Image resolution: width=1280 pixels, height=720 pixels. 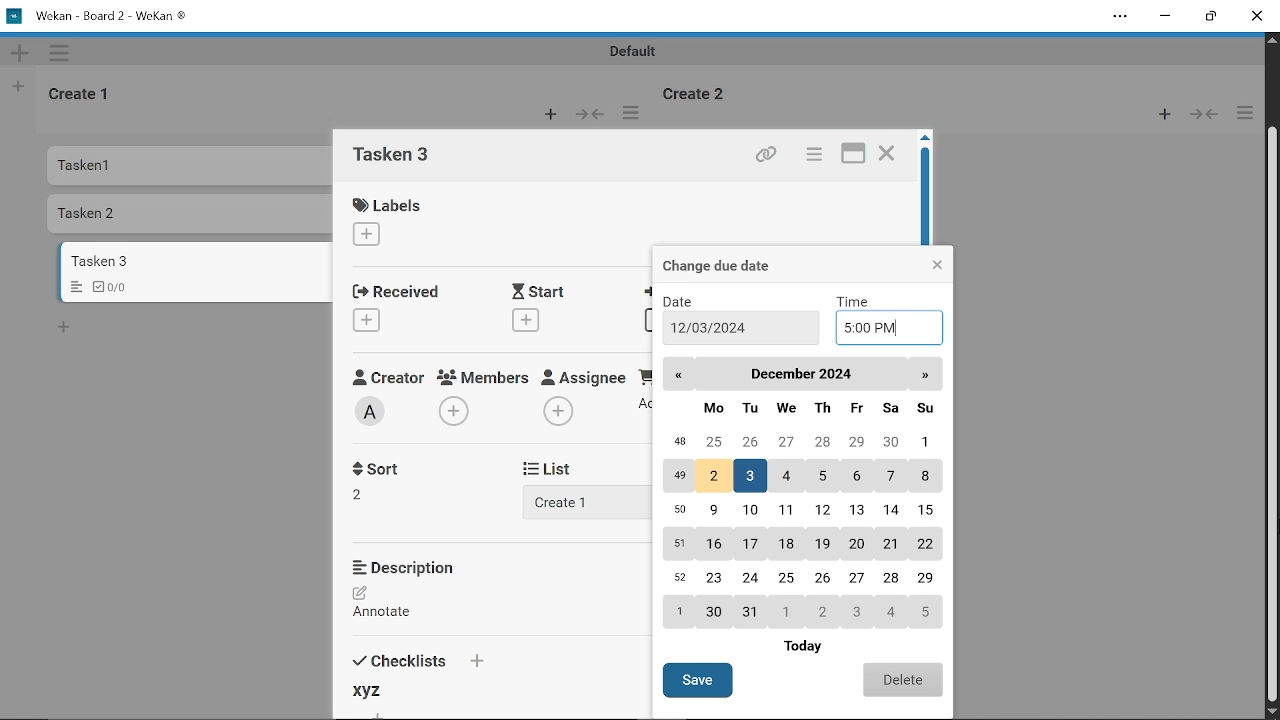 What do you see at coordinates (413, 567) in the screenshot?
I see `Description` at bounding box center [413, 567].